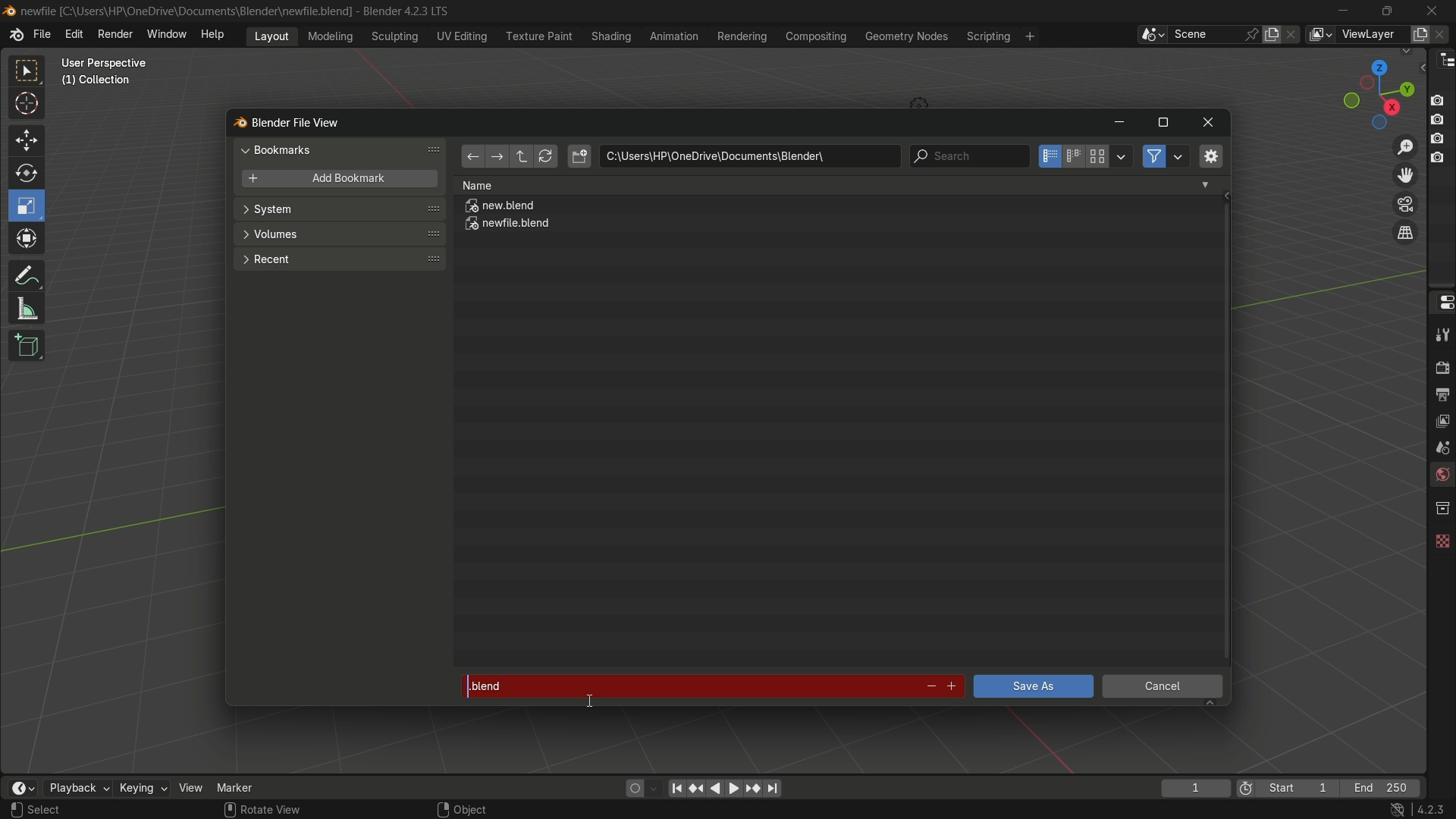 The image size is (1456, 819). Describe the element at coordinates (654, 788) in the screenshot. I see `auto keyframe` at that location.